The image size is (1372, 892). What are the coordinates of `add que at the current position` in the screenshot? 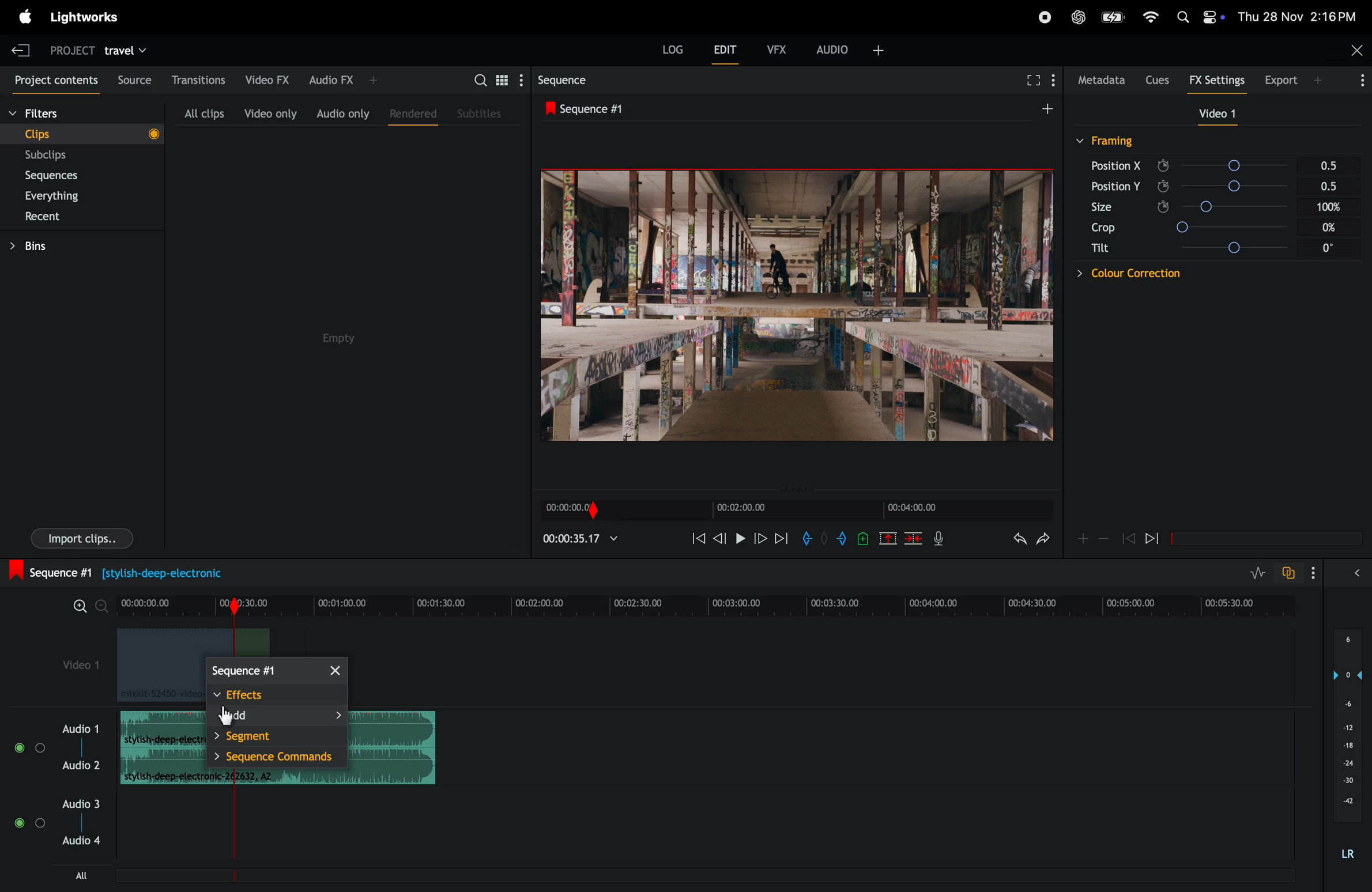 It's located at (864, 538).